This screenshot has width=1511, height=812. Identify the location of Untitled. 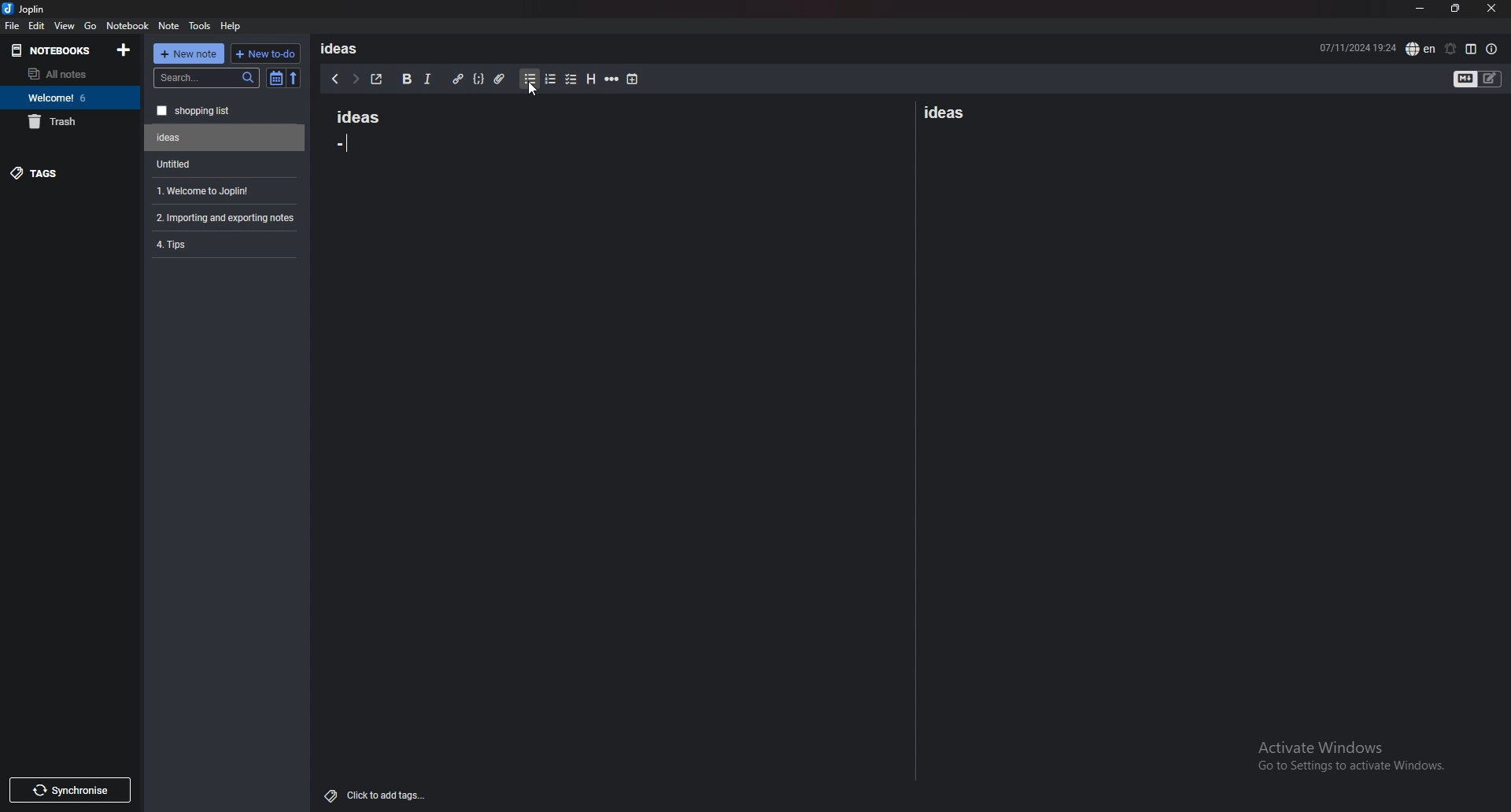
(225, 138).